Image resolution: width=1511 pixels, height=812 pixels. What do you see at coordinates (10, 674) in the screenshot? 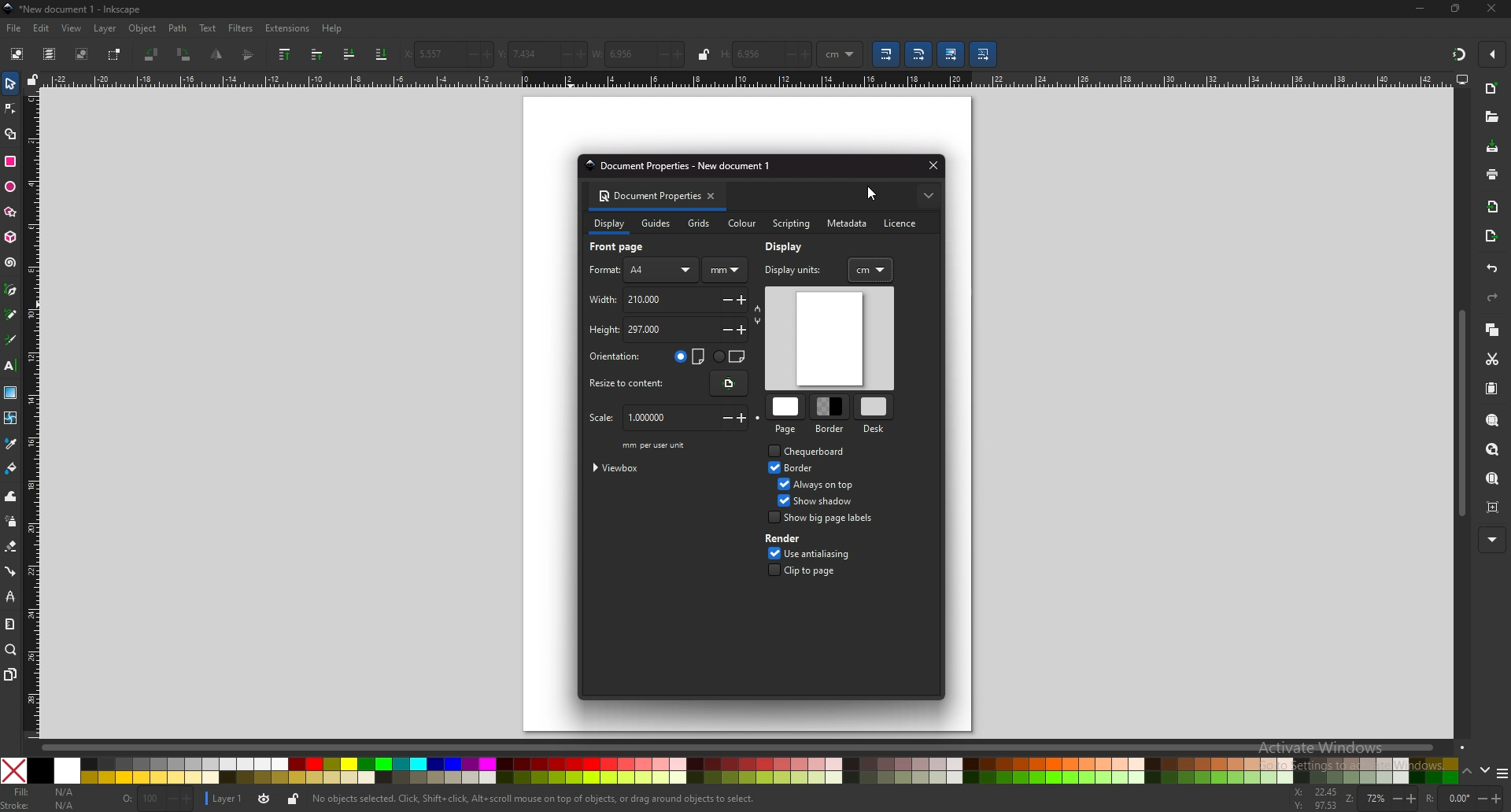
I see `pages` at bounding box center [10, 674].